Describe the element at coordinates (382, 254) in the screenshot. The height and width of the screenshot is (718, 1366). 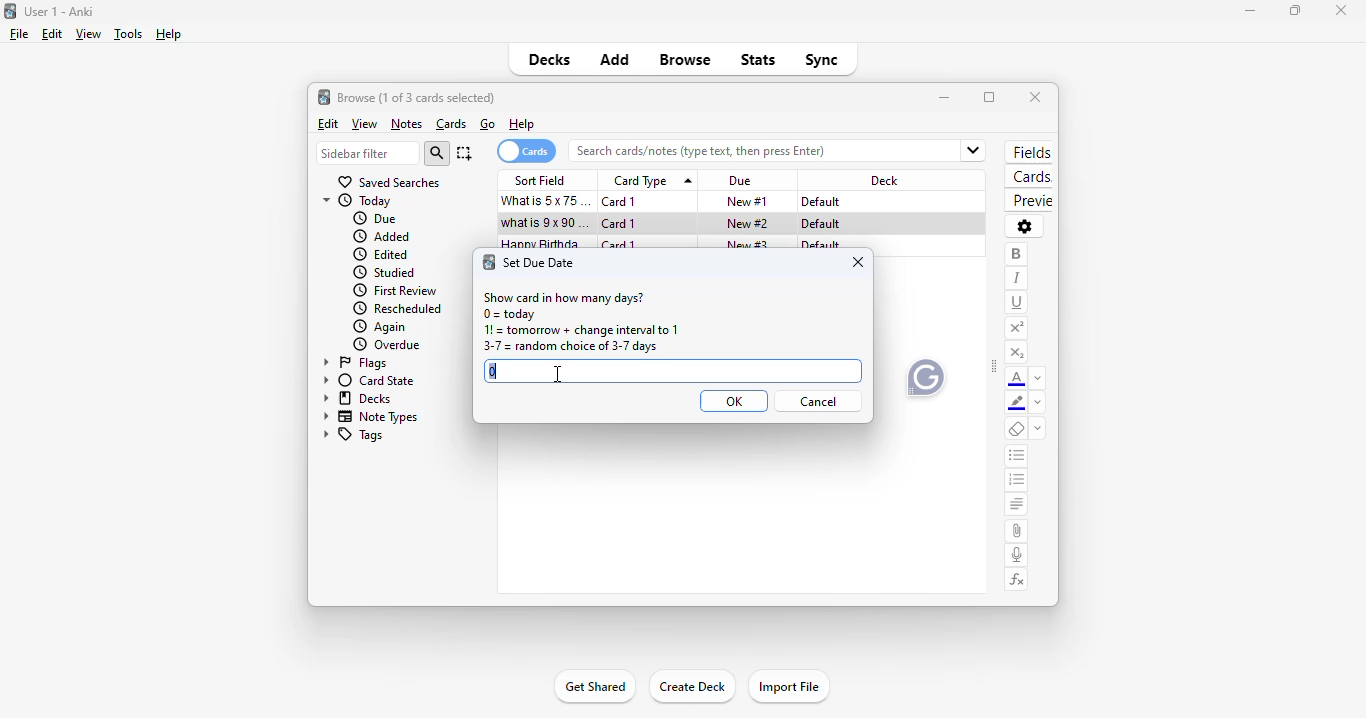
I see `edited` at that location.